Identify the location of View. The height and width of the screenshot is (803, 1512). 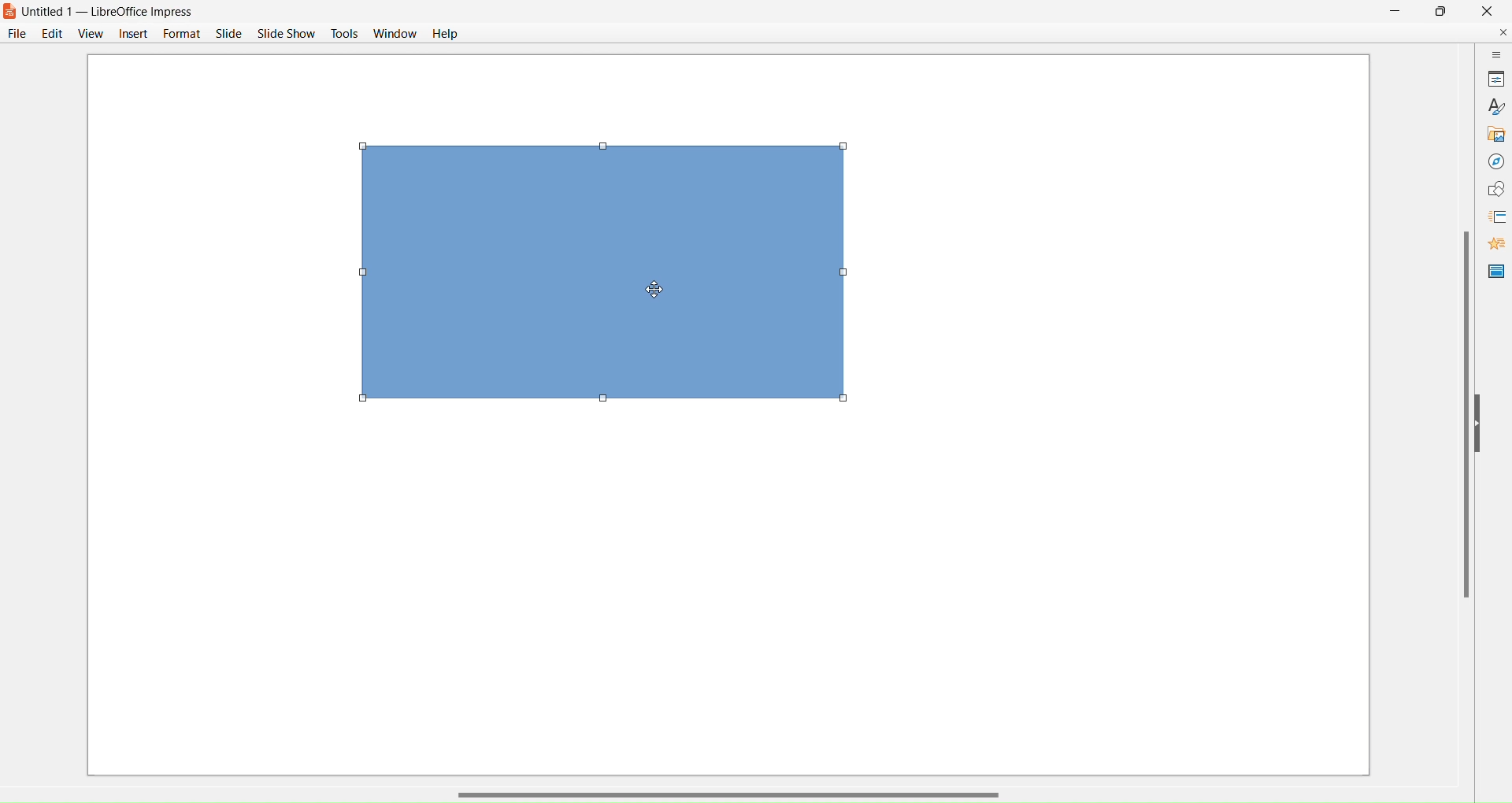
(90, 33).